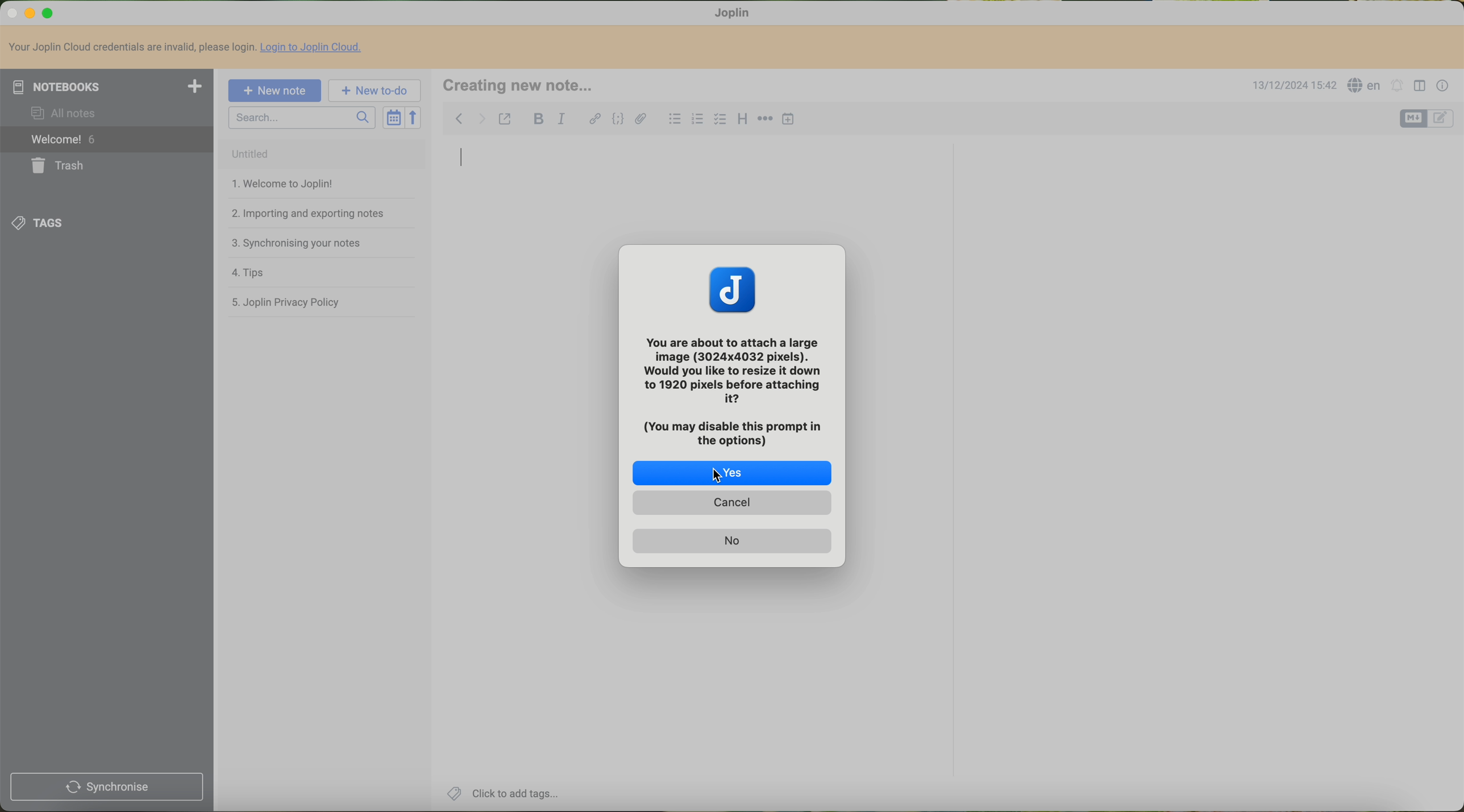 The image size is (1464, 812). What do you see at coordinates (1443, 88) in the screenshot?
I see `note properties` at bounding box center [1443, 88].